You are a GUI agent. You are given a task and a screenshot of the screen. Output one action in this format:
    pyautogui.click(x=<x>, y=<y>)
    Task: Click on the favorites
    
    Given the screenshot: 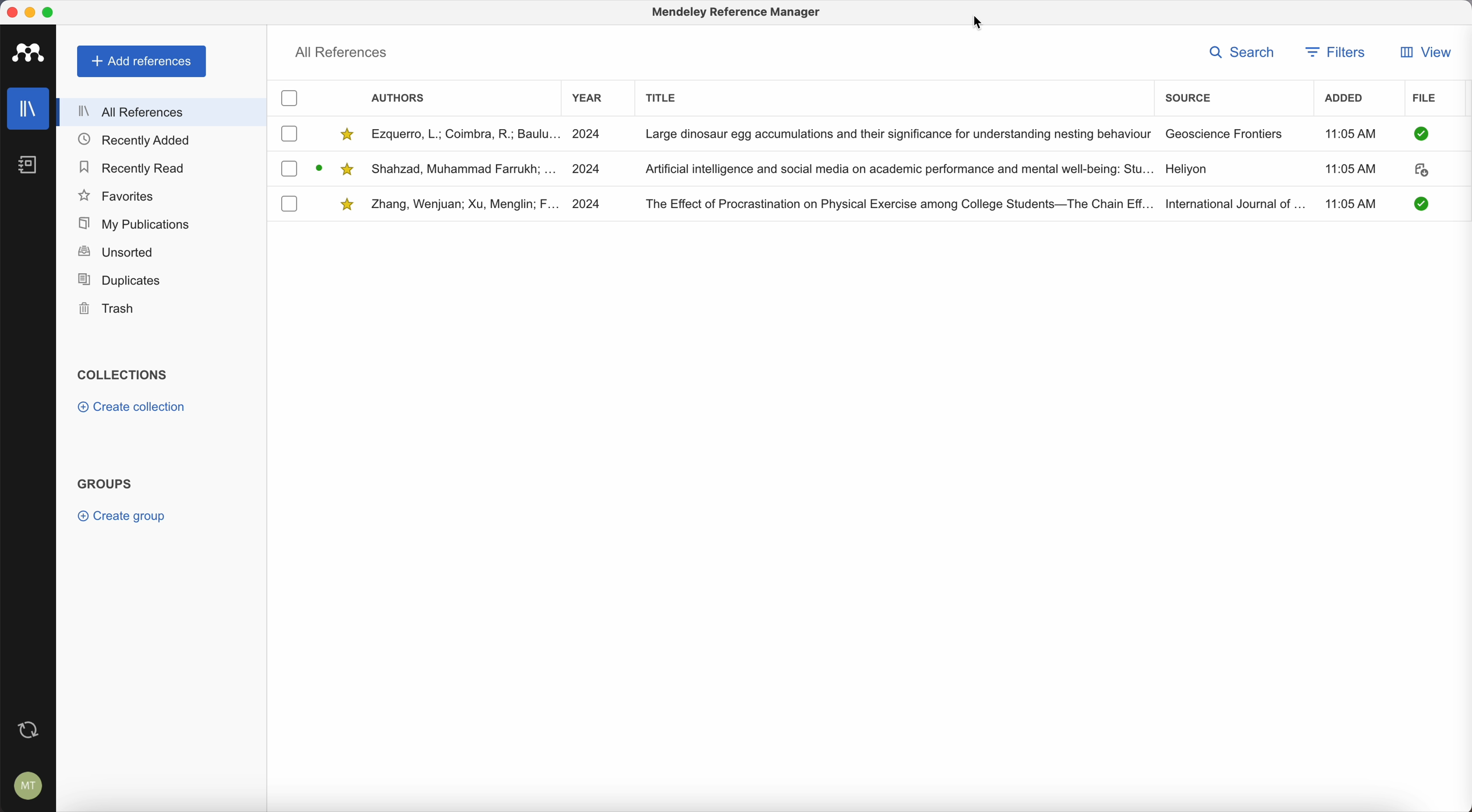 What is the action you would take?
    pyautogui.click(x=118, y=195)
    